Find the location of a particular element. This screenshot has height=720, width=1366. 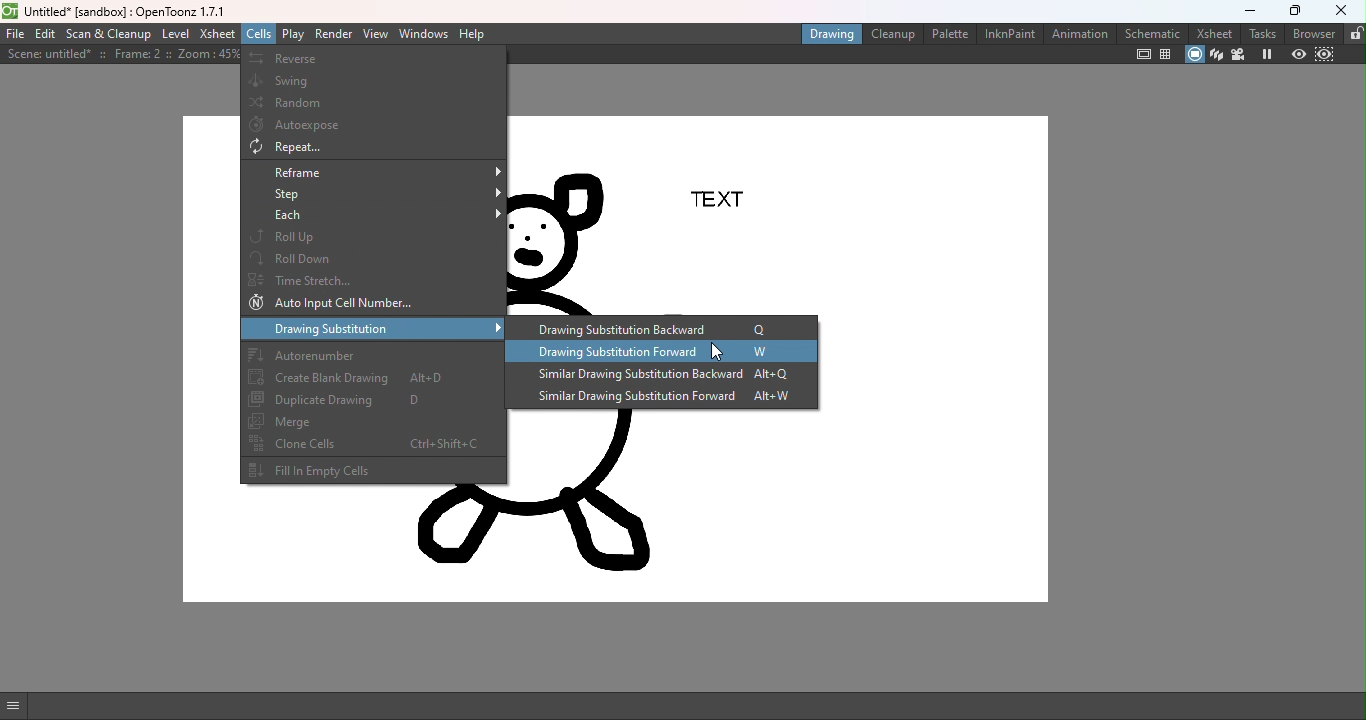

Duplicate drawing is located at coordinates (376, 401).